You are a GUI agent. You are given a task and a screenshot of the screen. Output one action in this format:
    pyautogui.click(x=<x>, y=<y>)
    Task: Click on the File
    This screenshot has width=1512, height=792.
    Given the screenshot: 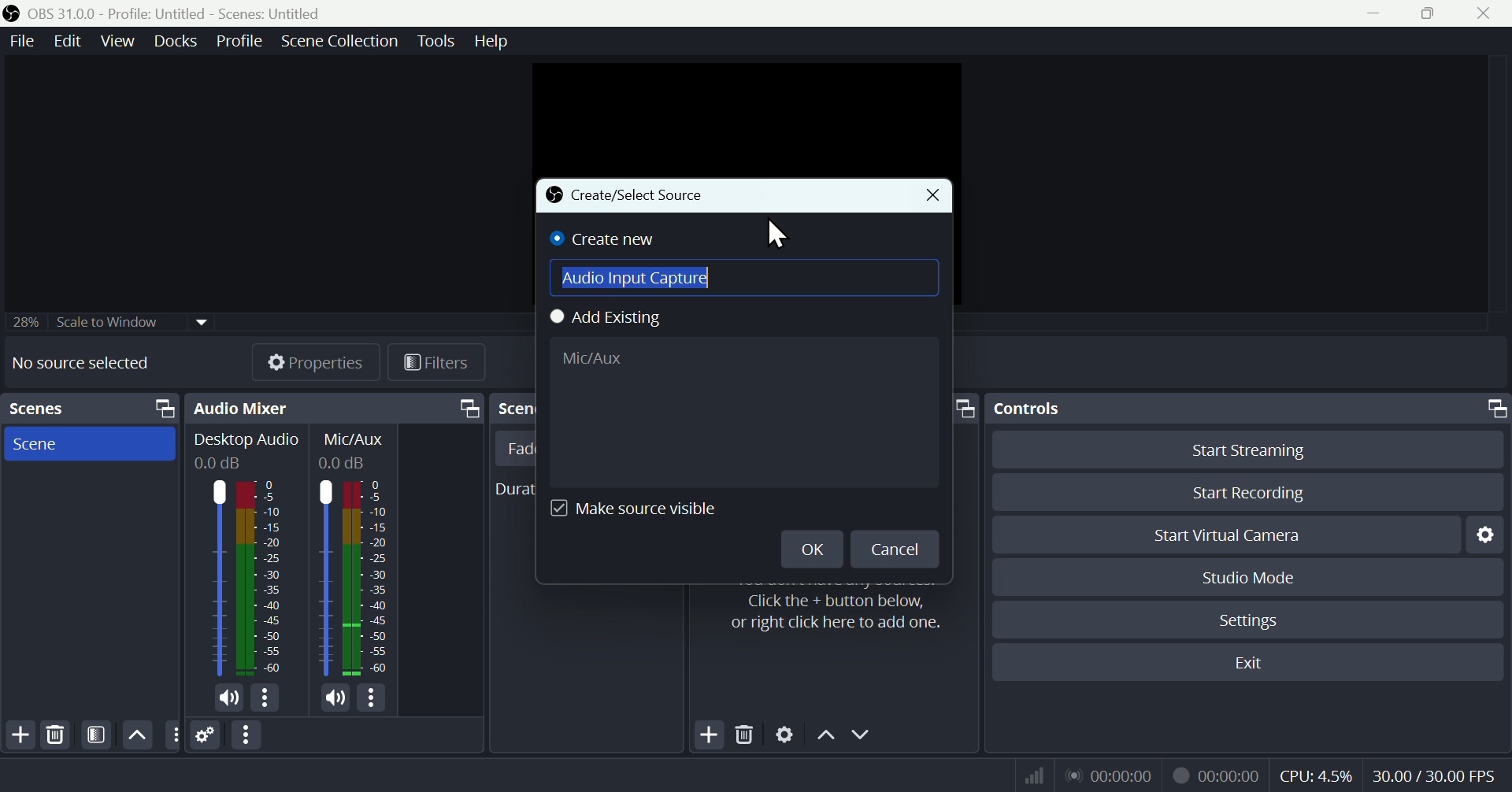 What is the action you would take?
    pyautogui.click(x=20, y=42)
    